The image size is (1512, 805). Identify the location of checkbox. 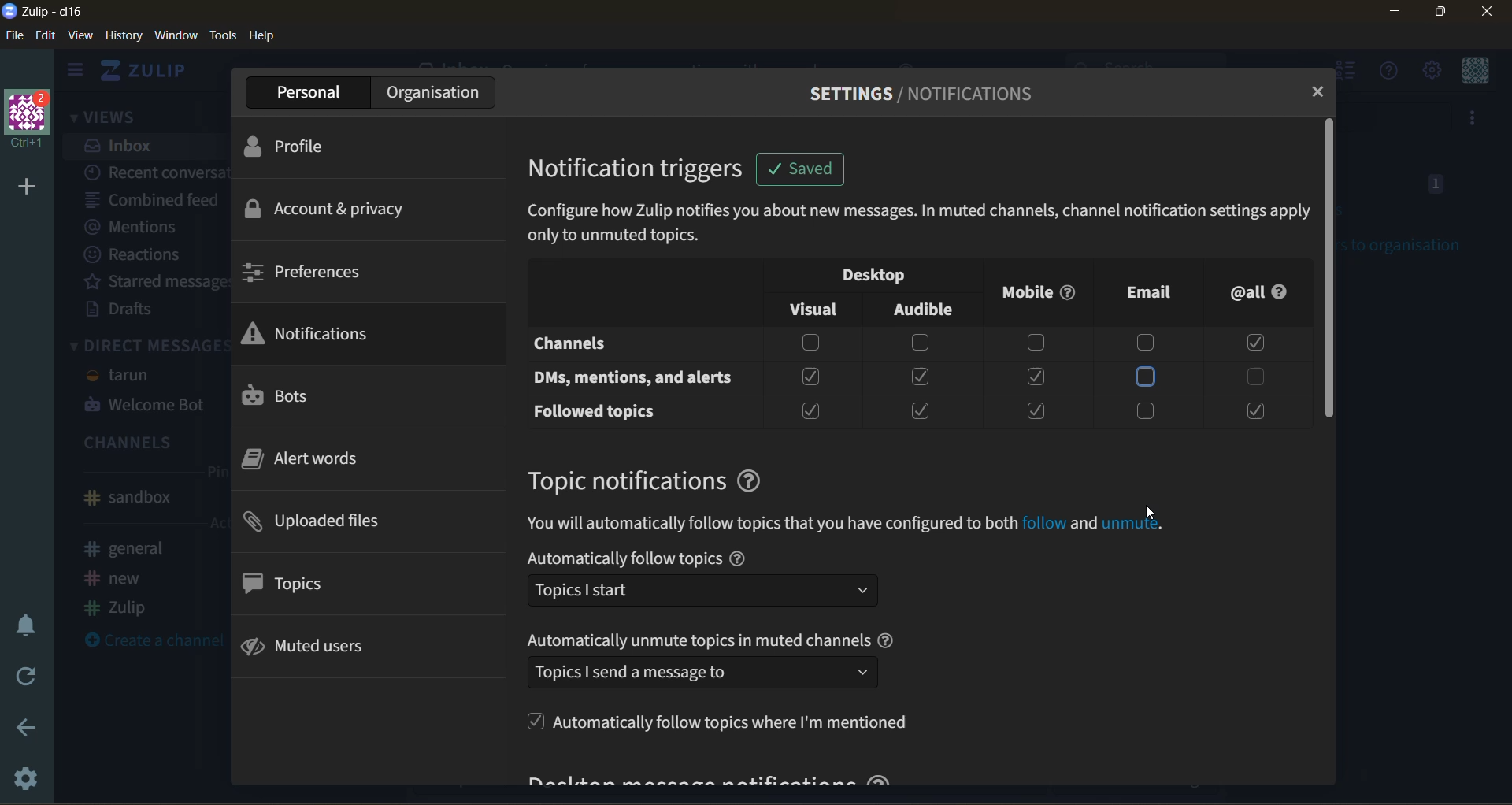
(921, 408).